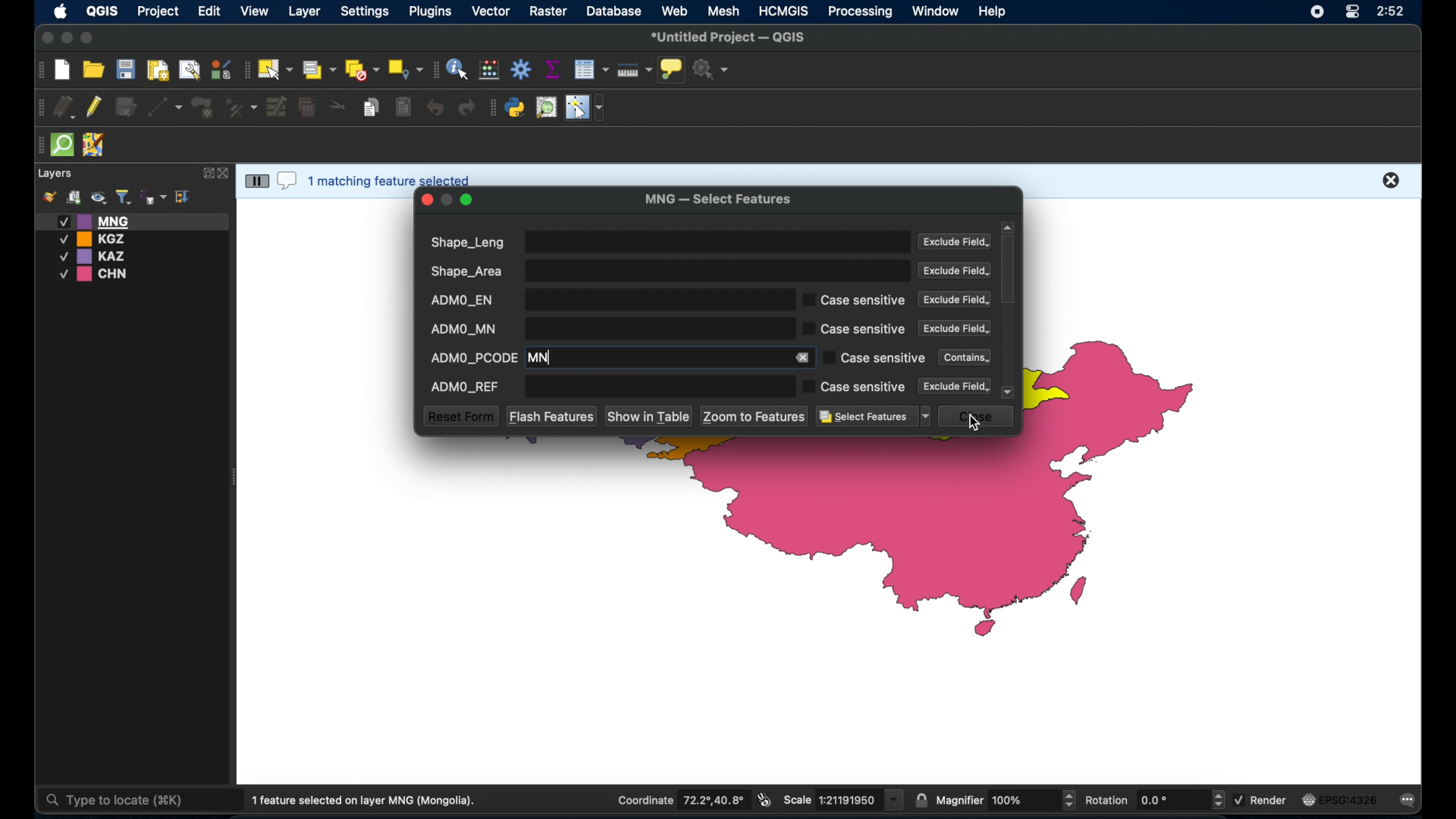 The height and width of the screenshot is (819, 1456). Describe the element at coordinates (1010, 271) in the screenshot. I see `scroll box` at that location.